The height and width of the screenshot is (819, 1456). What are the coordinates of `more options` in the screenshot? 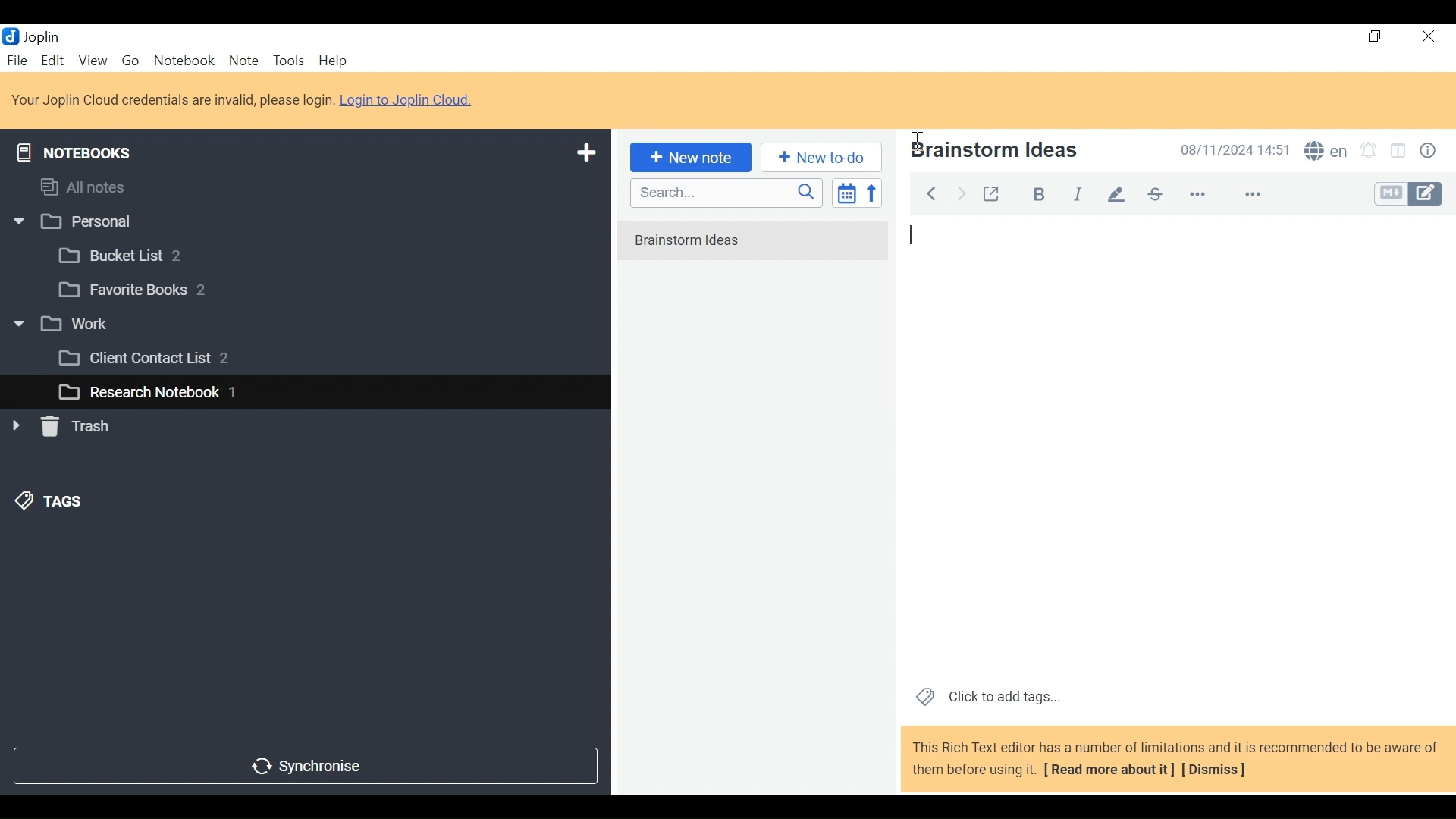 It's located at (1207, 195).